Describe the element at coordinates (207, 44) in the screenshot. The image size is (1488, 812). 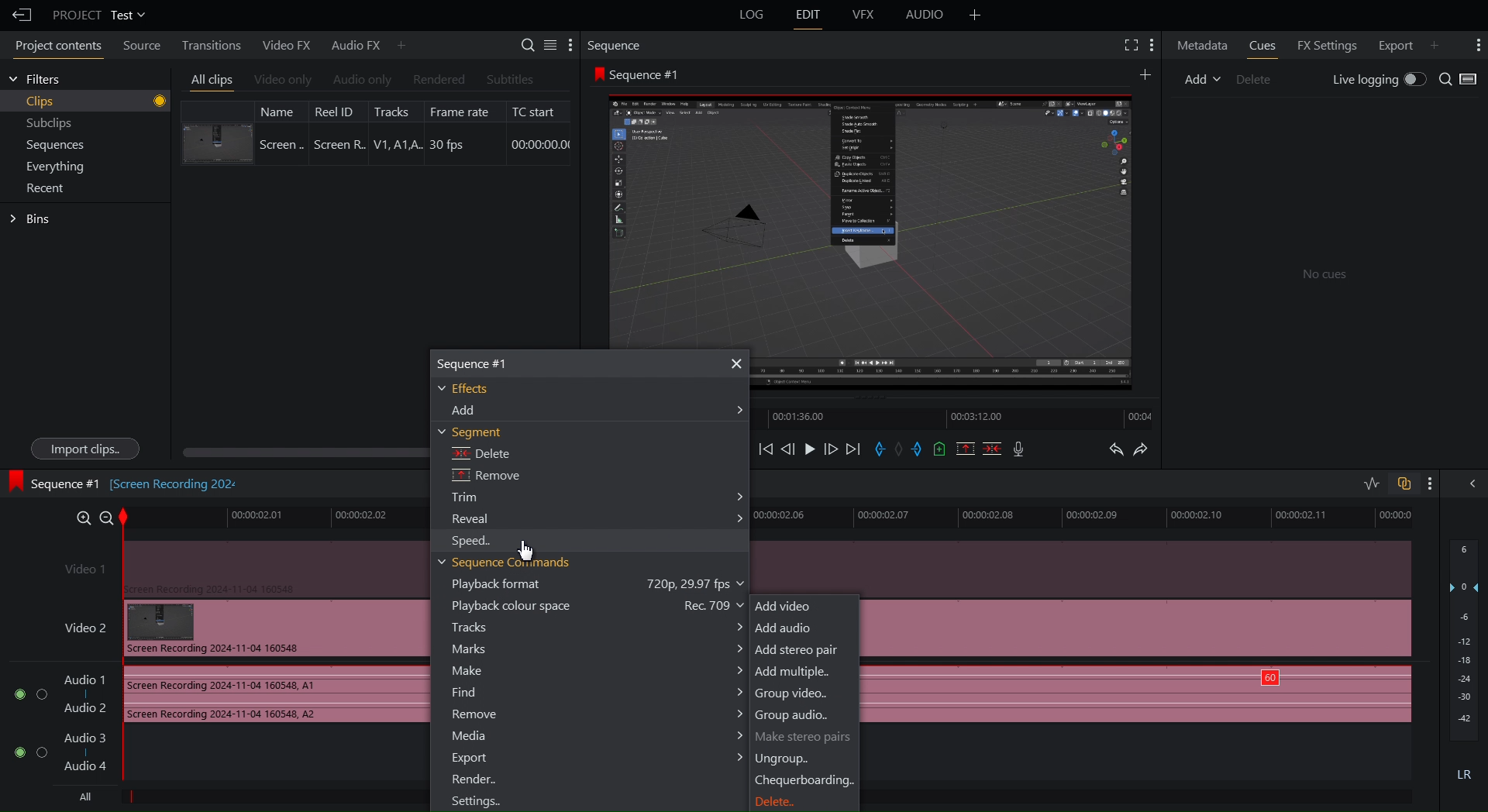
I see `Transitions` at that location.